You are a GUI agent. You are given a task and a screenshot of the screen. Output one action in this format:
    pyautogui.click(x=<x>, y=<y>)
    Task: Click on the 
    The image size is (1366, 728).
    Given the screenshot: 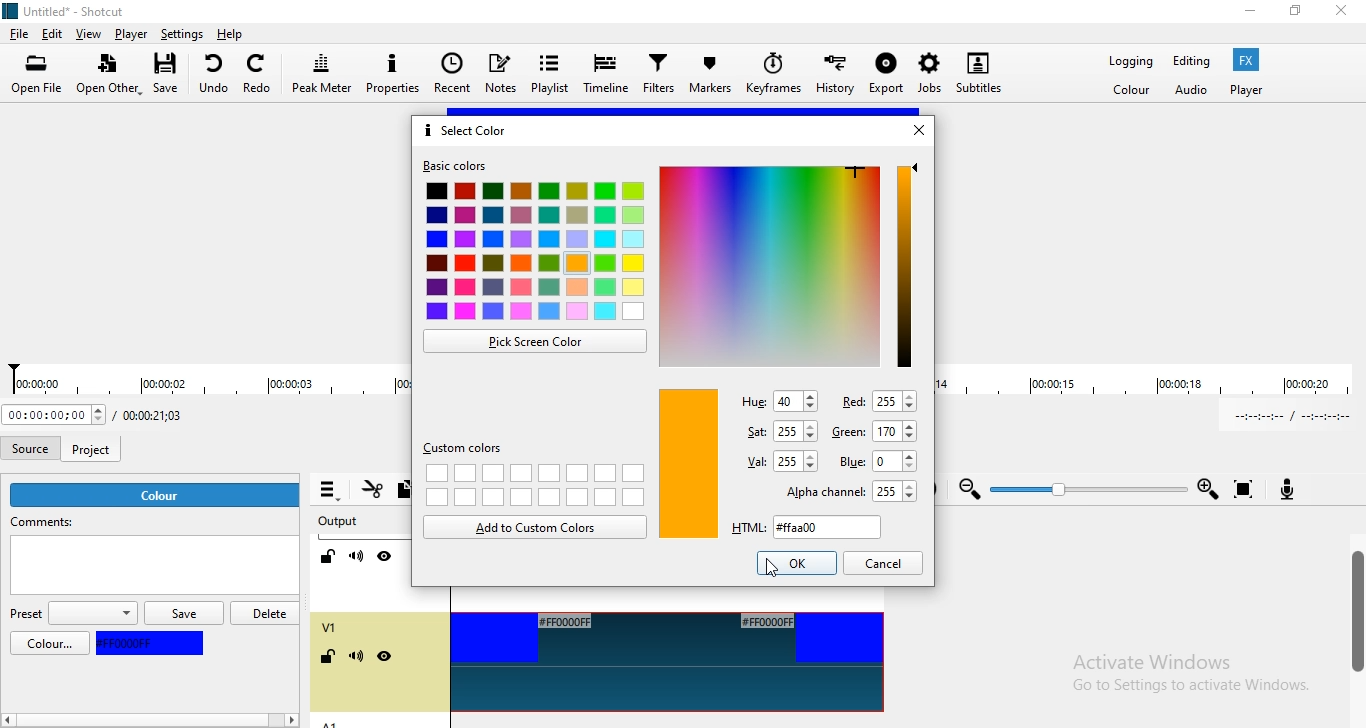 What is the action you would take?
    pyautogui.click(x=1089, y=489)
    